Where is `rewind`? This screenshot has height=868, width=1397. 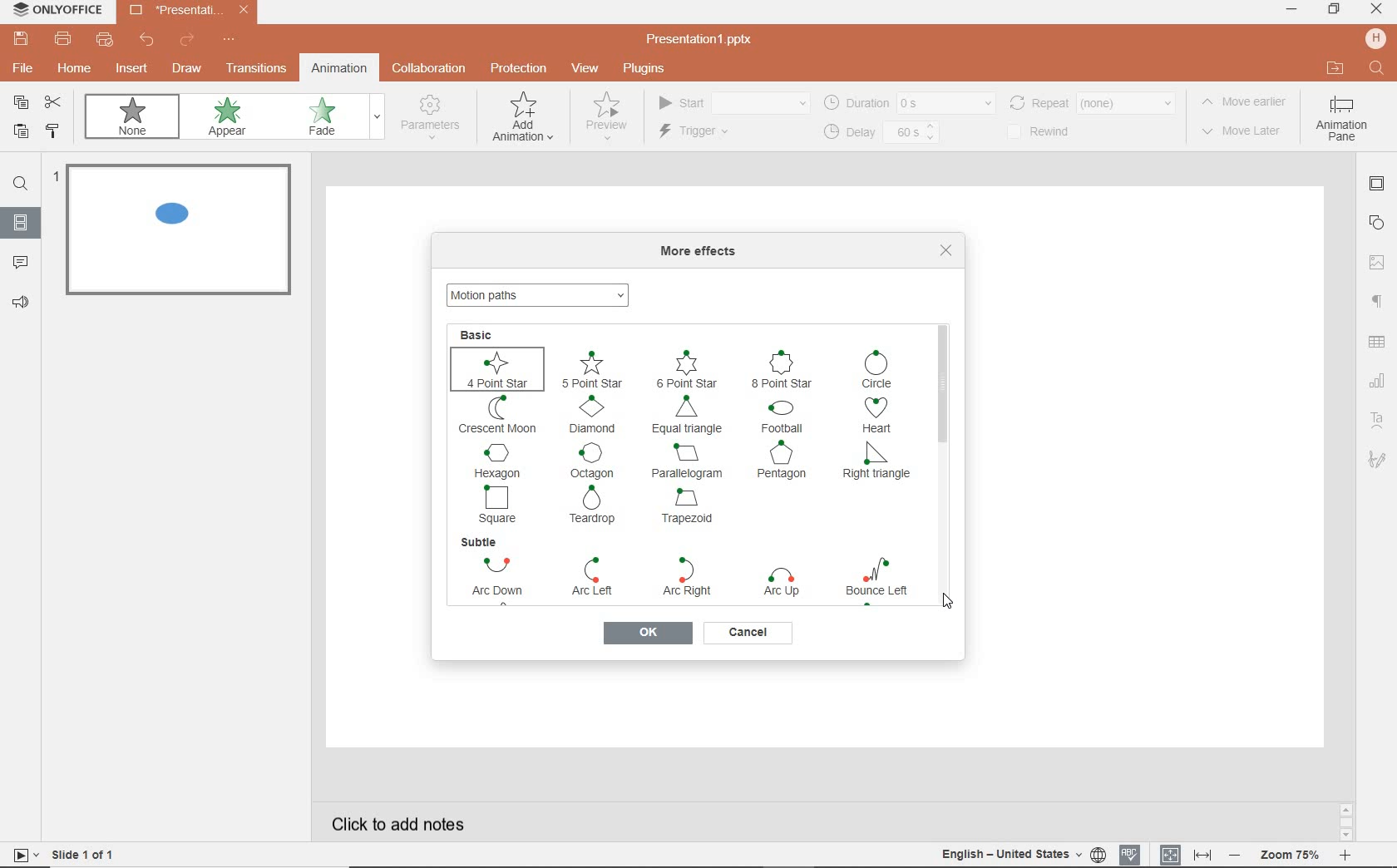
rewind is located at coordinates (1049, 132).